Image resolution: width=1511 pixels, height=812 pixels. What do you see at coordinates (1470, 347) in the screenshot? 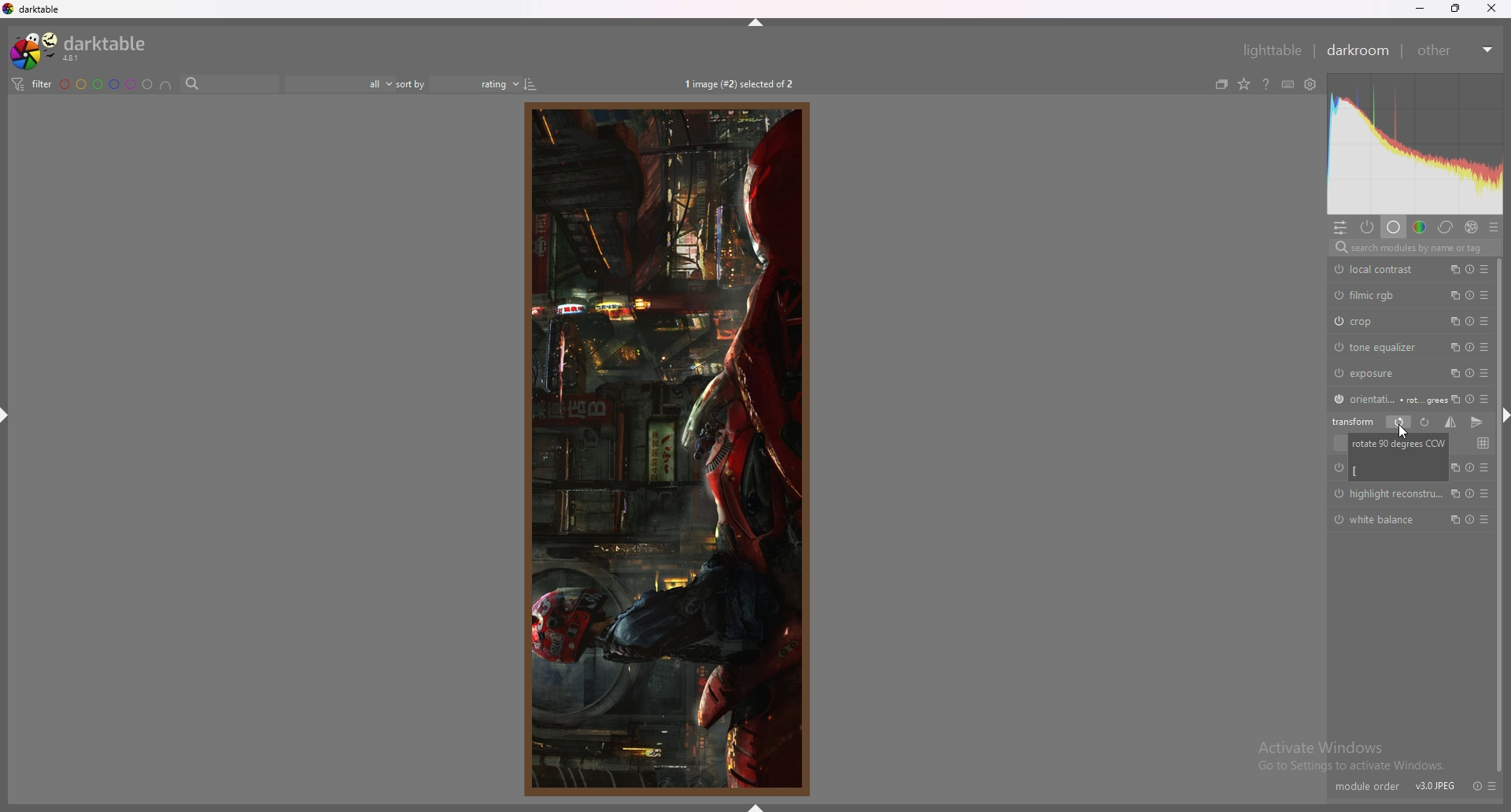
I see `reset` at bounding box center [1470, 347].